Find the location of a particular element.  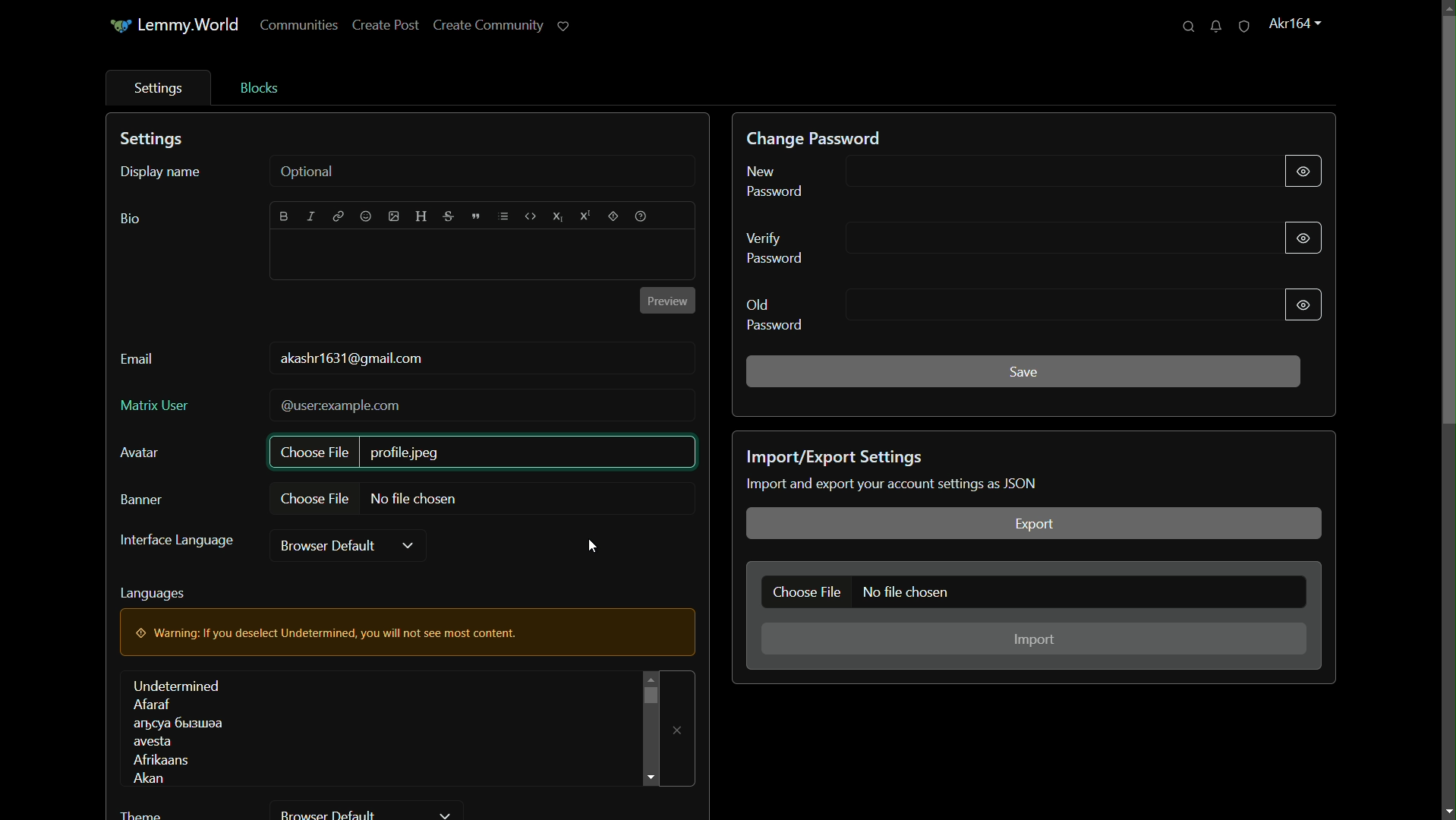

browser default is located at coordinates (332, 546).